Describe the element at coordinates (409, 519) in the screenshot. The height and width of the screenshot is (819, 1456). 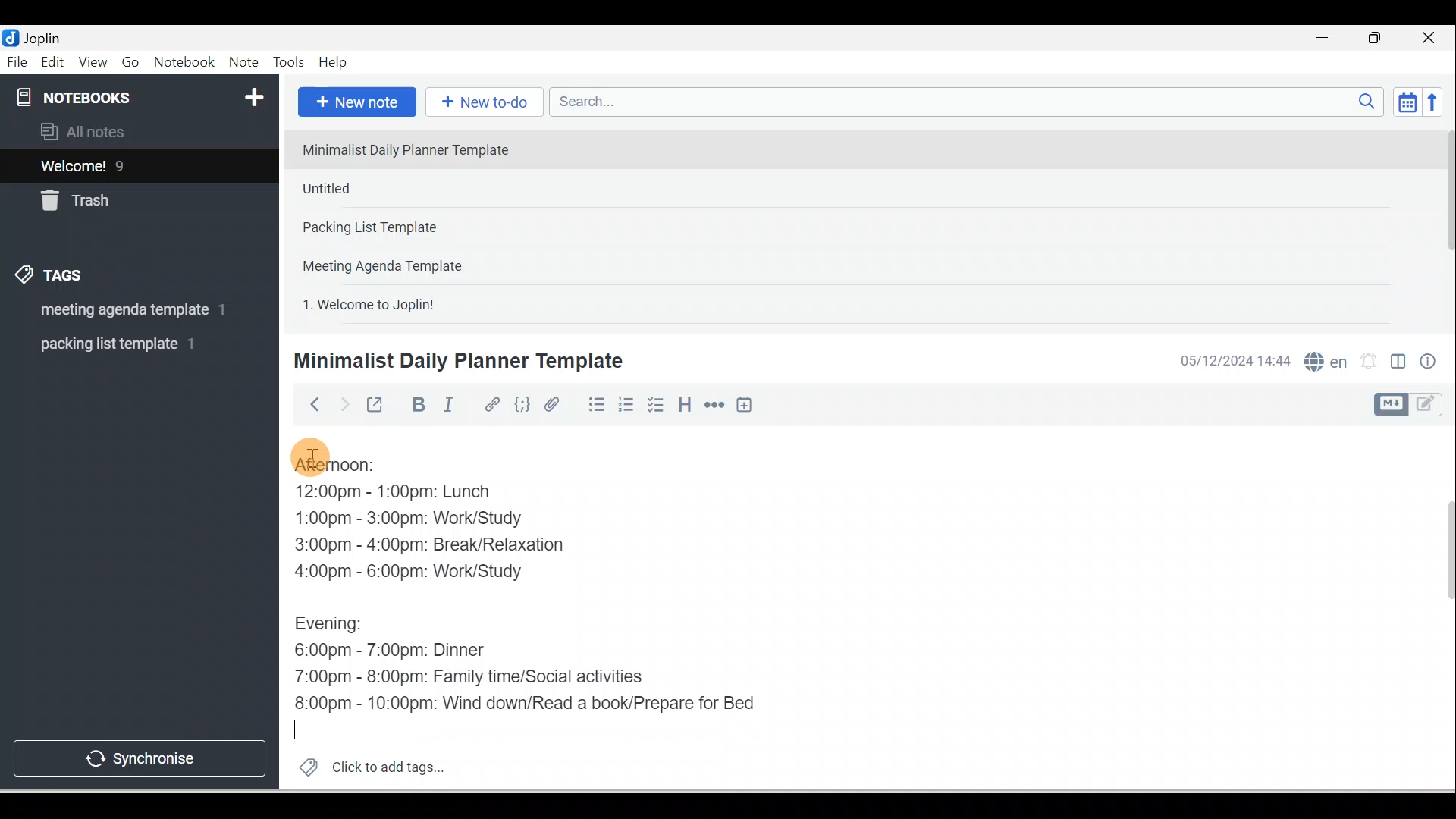
I see `1:00pm - 3:00pm: Work/Study` at that location.